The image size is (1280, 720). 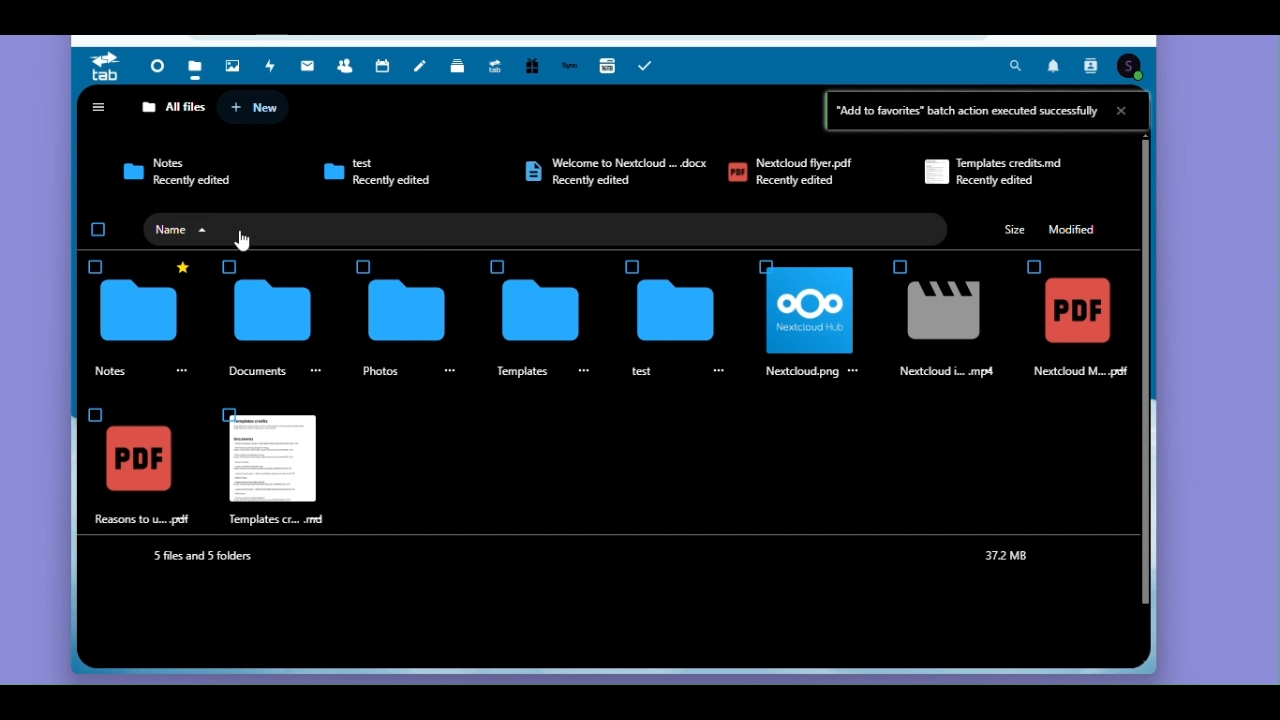 What do you see at coordinates (738, 173) in the screenshot?
I see `Icon` at bounding box center [738, 173].